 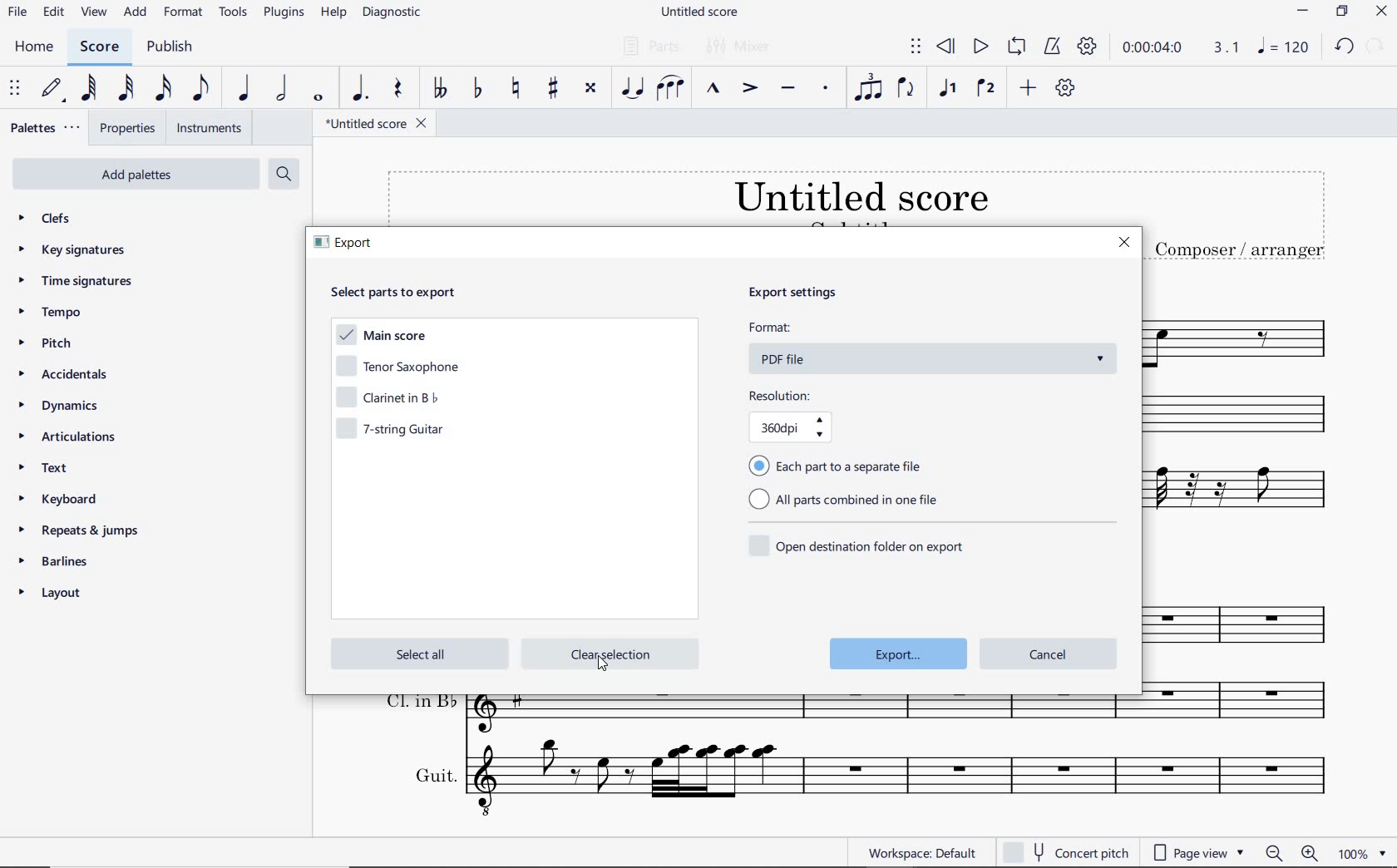 What do you see at coordinates (907, 90) in the screenshot?
I see `FLIP DIRECTION` at bounding box center [907, 90].